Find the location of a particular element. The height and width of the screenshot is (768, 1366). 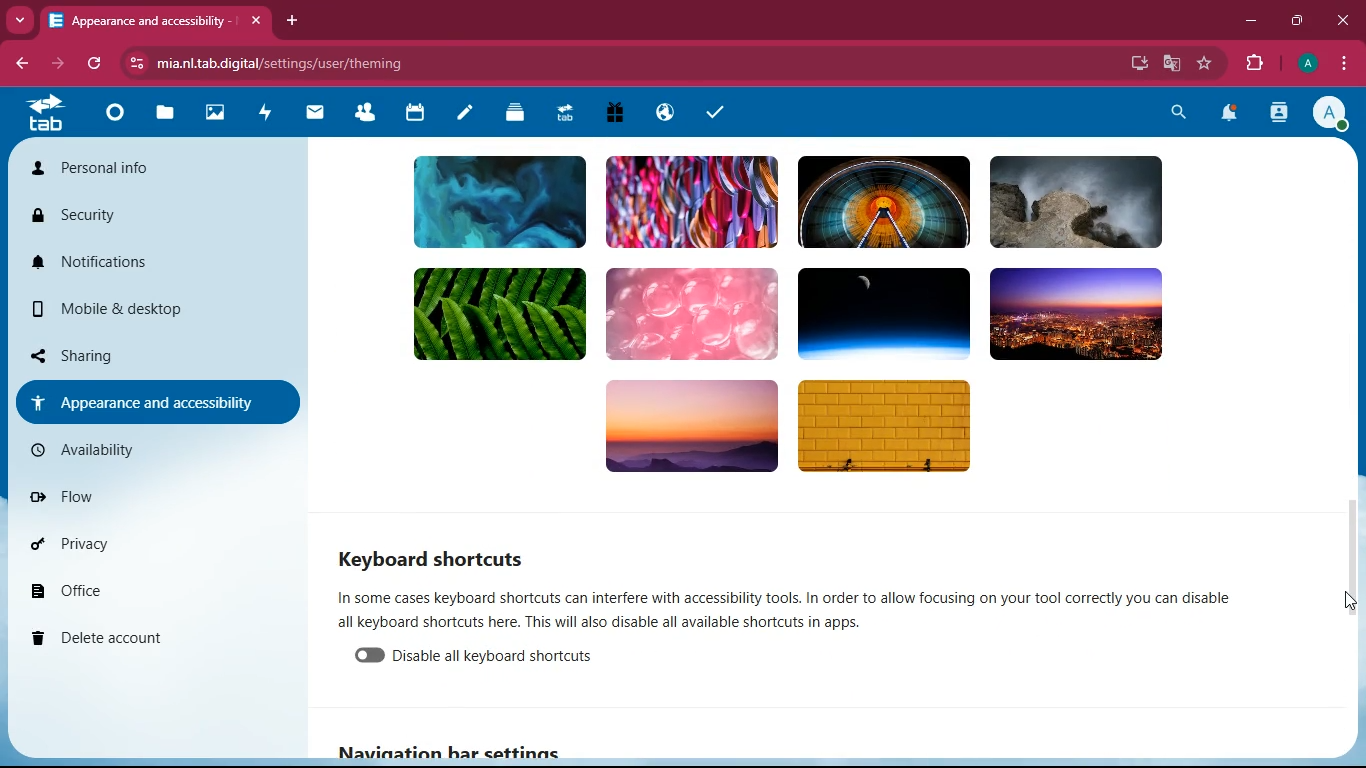

enable is located at coordinates (373, 658).